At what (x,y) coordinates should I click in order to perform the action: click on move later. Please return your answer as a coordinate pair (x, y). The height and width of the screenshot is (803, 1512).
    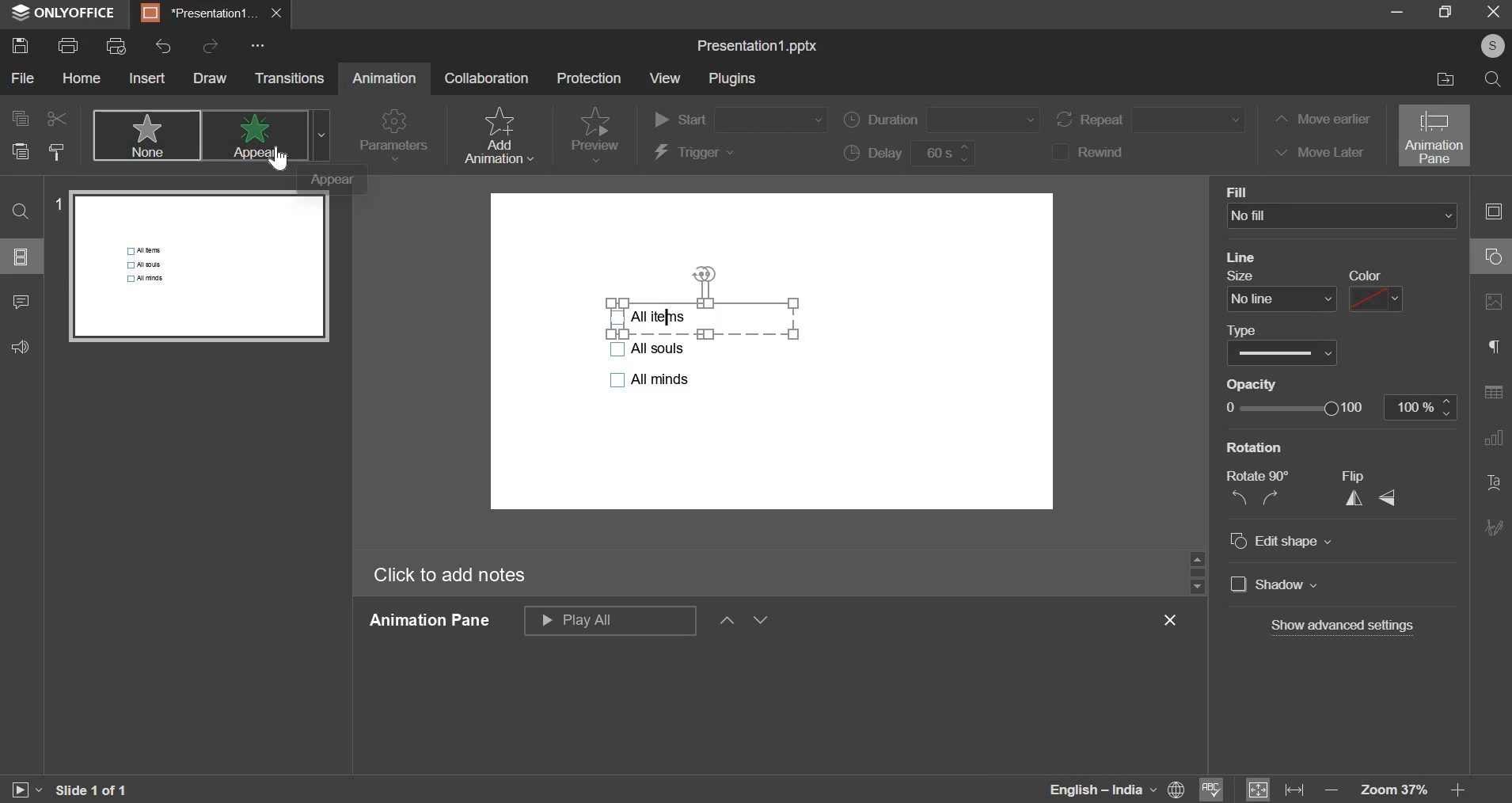
    Looking at the image, I should click on (1316, 150).